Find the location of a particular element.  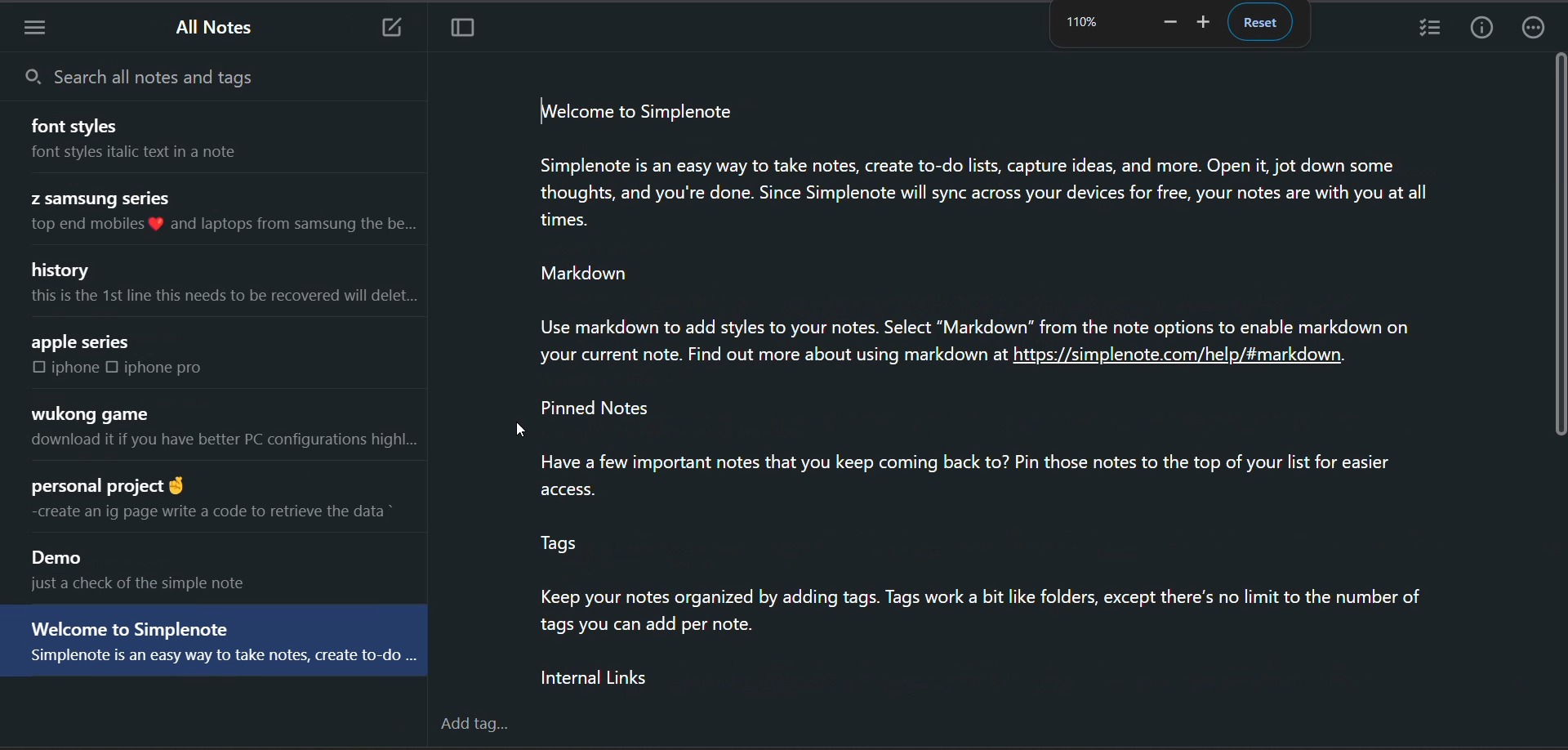

top end mobiles 8 and laptops from samsung the be is located at coordinates (225, 229).